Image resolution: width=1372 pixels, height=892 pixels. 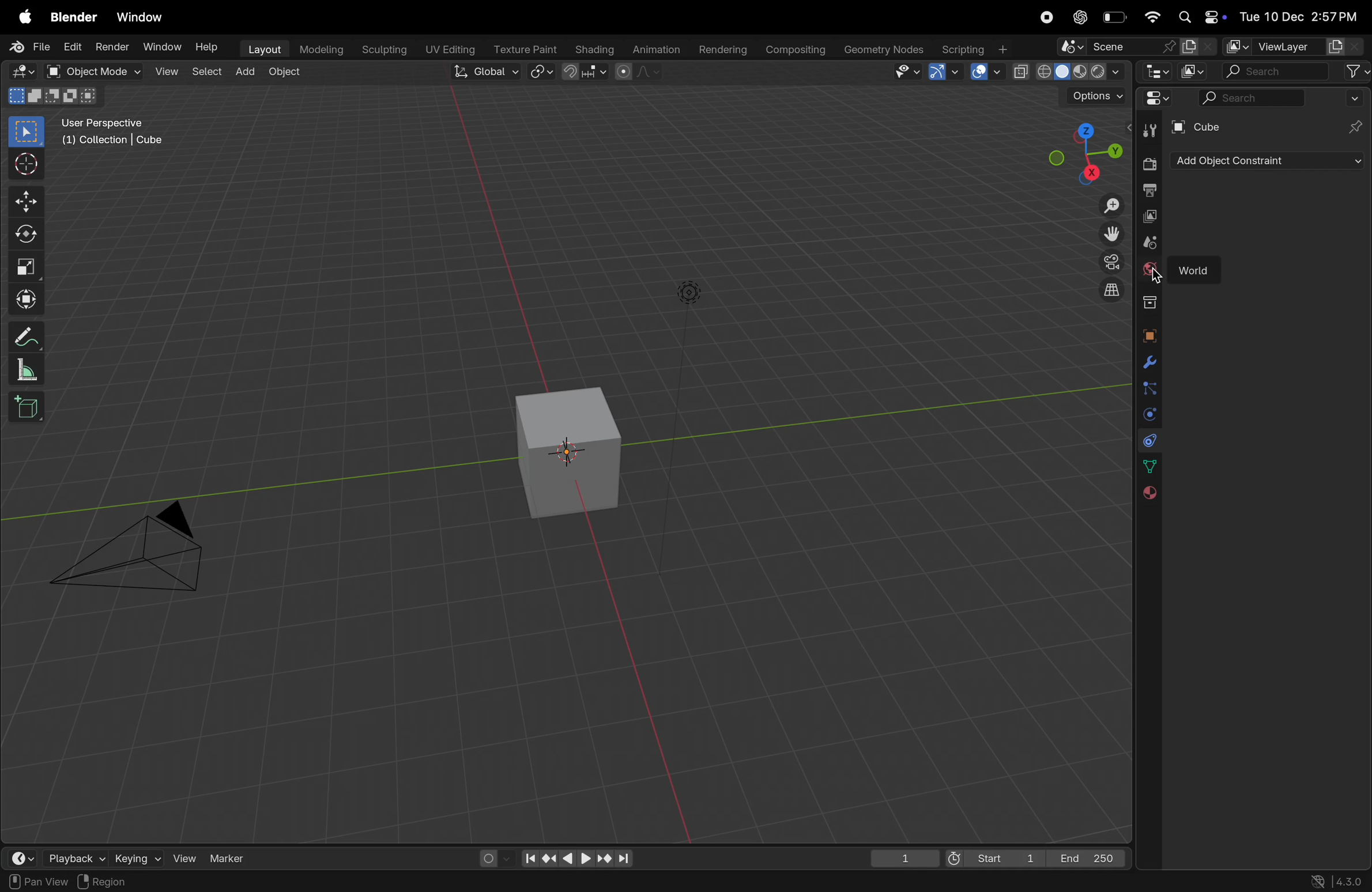 I want to click on add, so click(x=244, y=72).